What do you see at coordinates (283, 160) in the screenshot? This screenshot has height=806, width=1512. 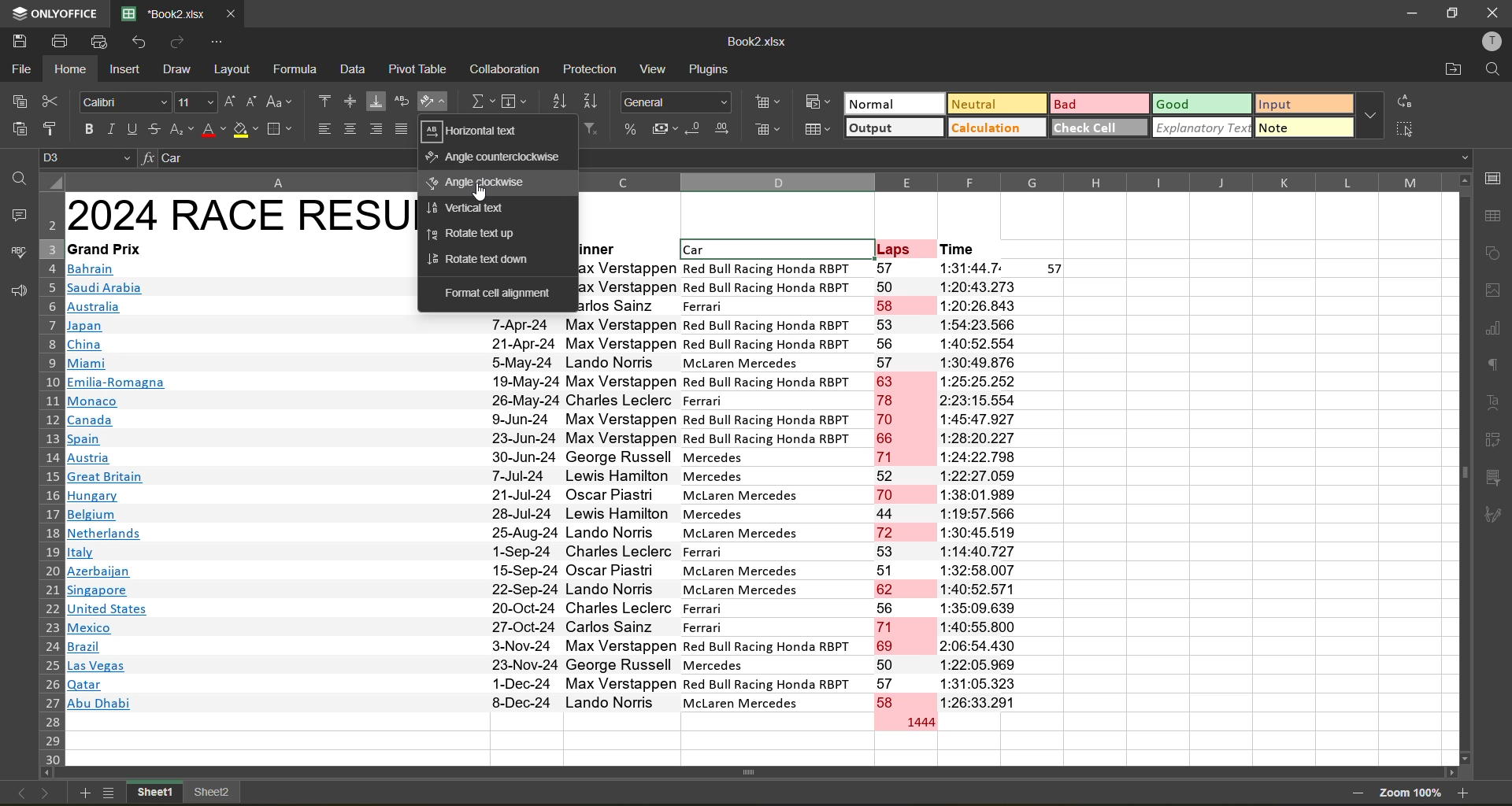 I see `formula bar` at bounding box center [283, 160].